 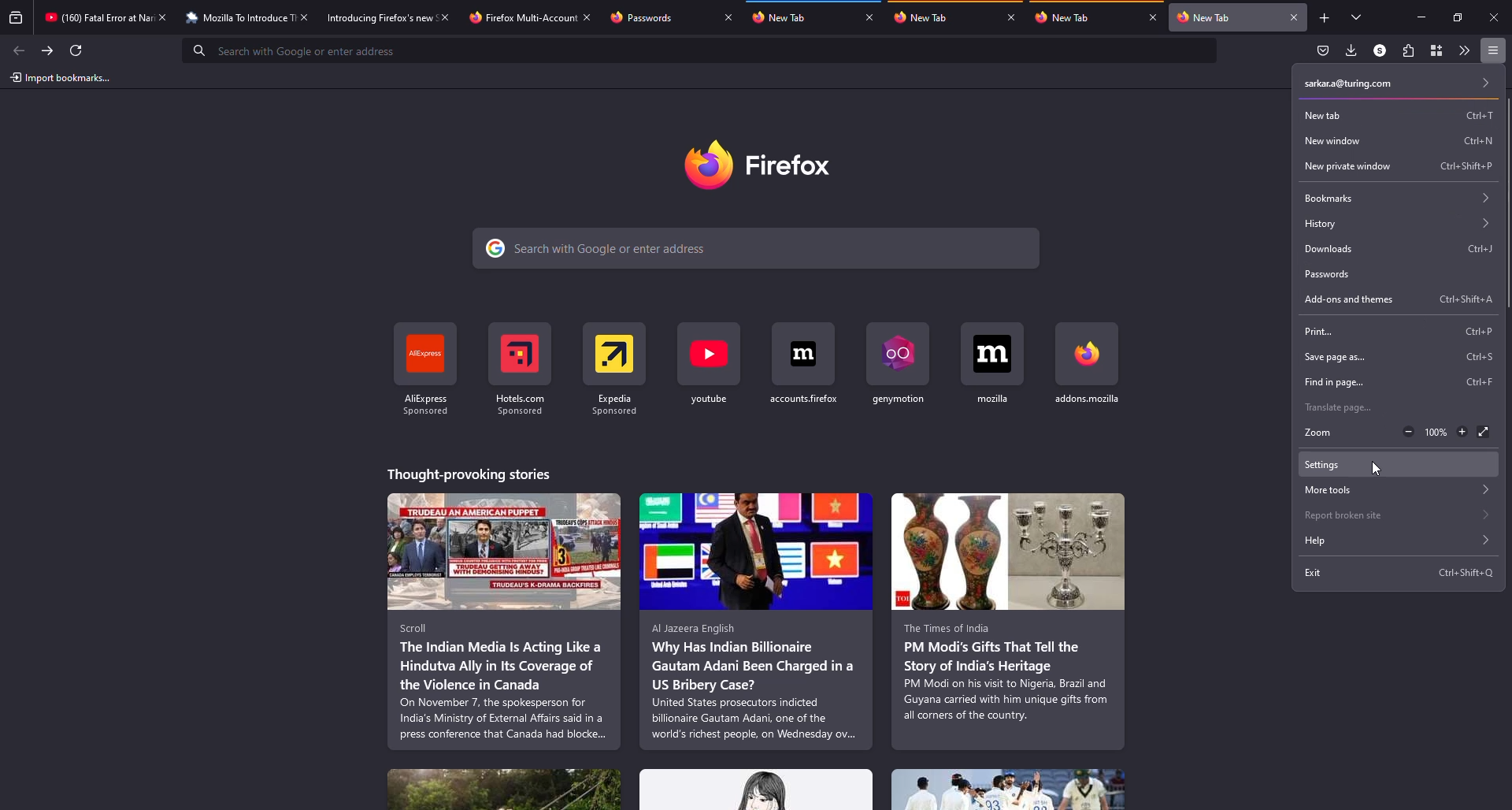 I want to click on search, so click(x=304, y=50).